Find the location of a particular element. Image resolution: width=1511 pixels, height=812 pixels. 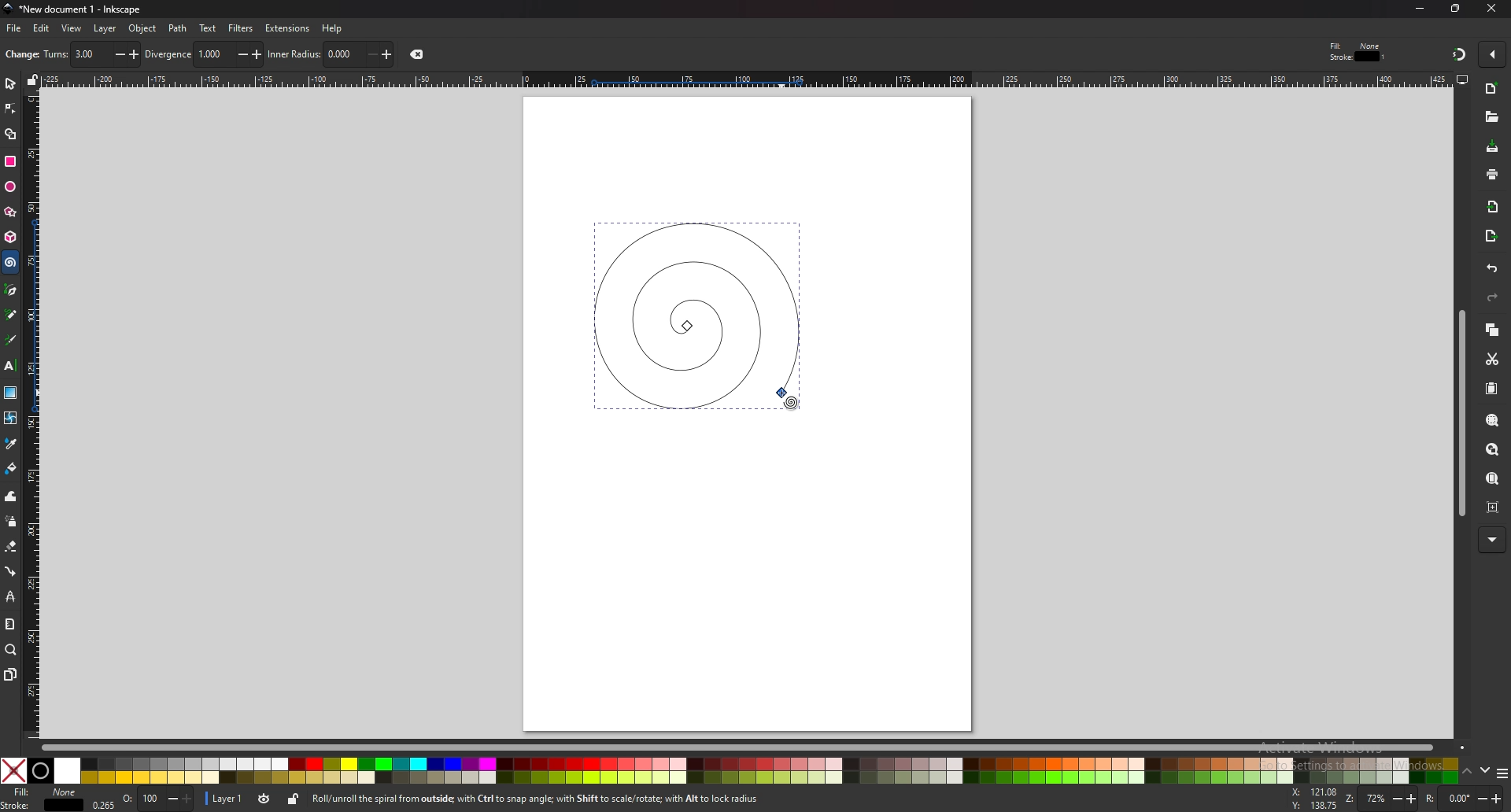

zoom is located at coordinates (12, 651).